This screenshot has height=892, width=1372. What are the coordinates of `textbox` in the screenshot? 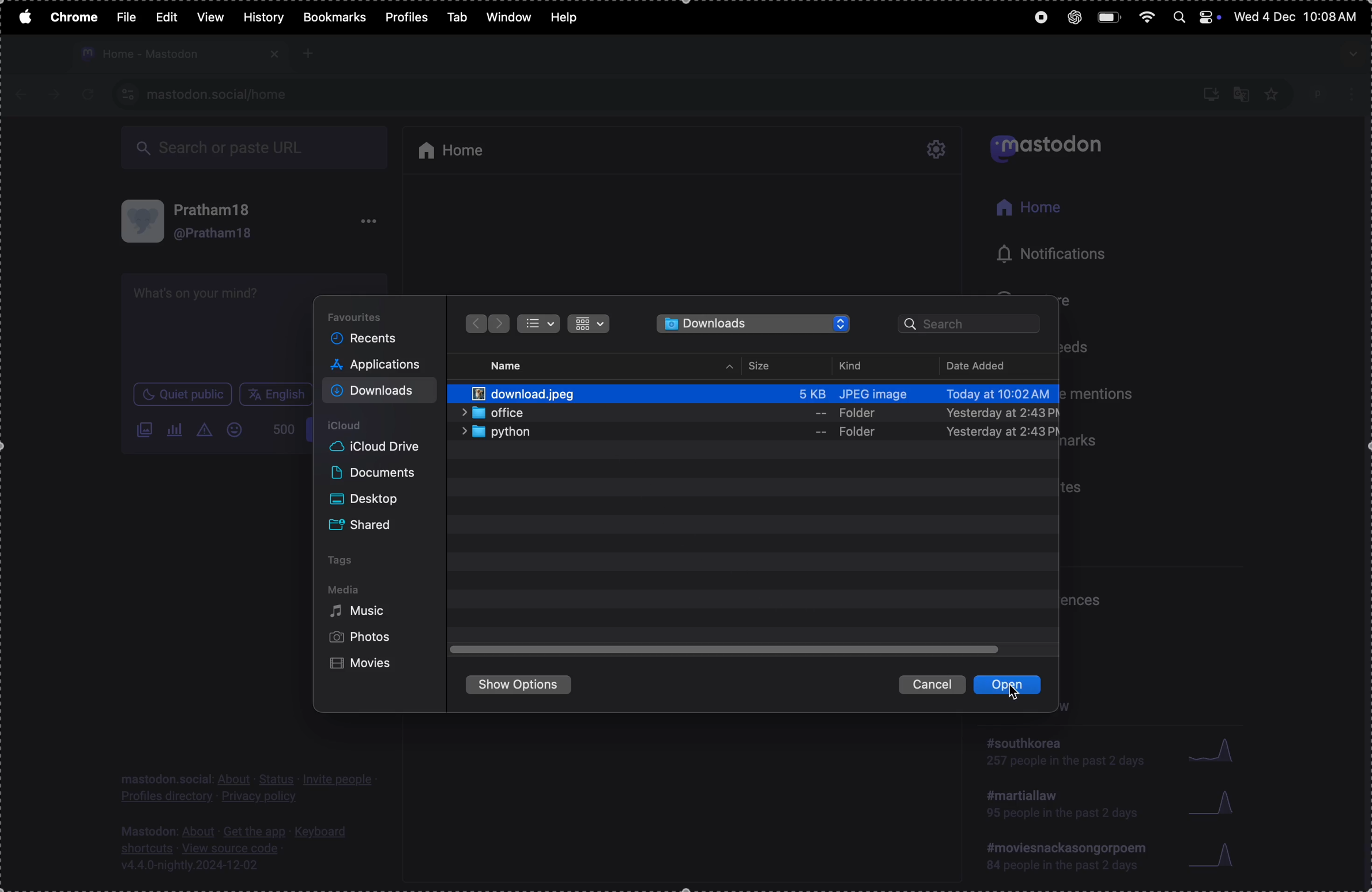 It's located at (217, 328).